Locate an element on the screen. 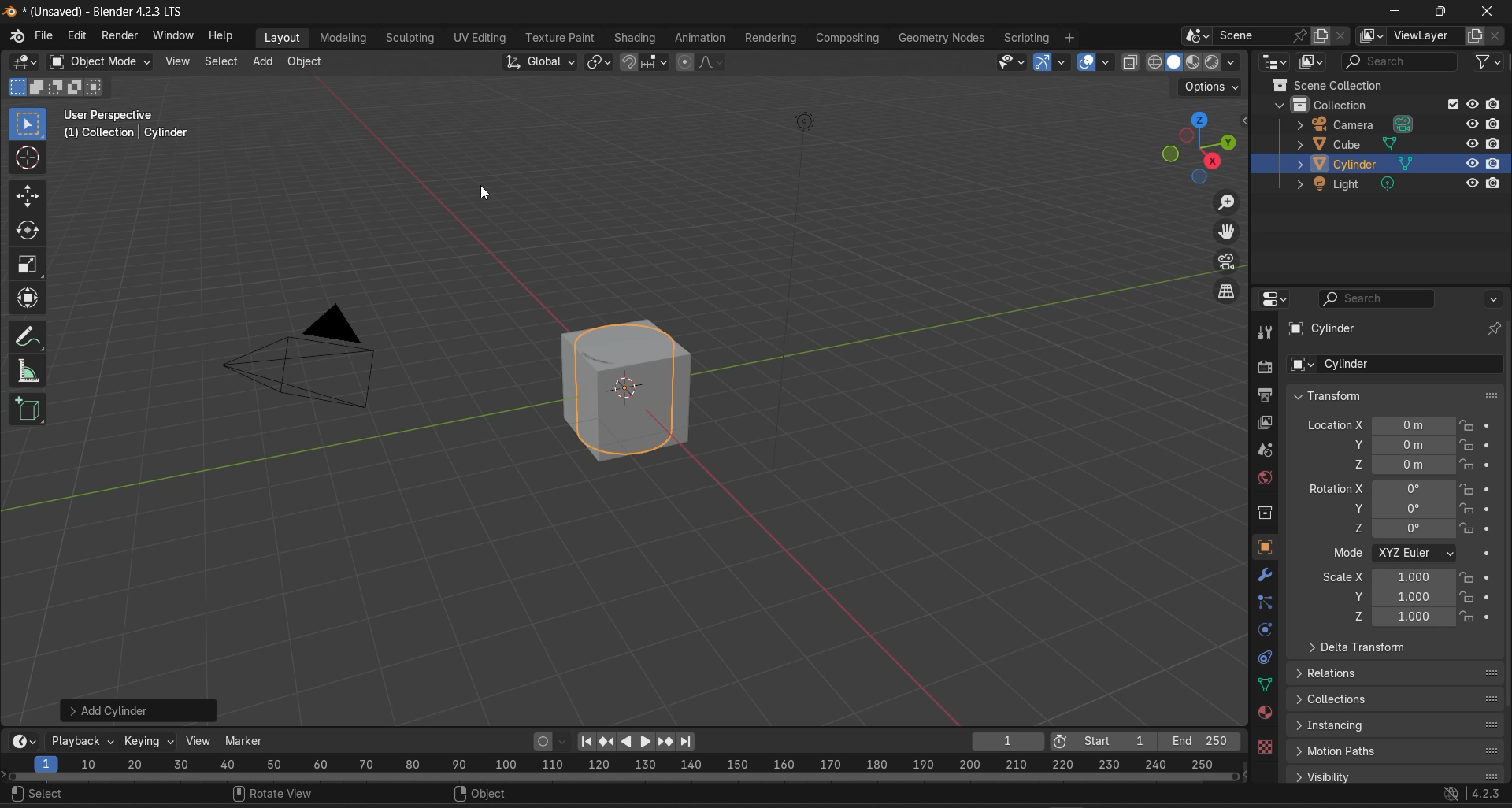 The width and height of the screenshot is (1512, 808). animation is located at coordinates (701, 36).